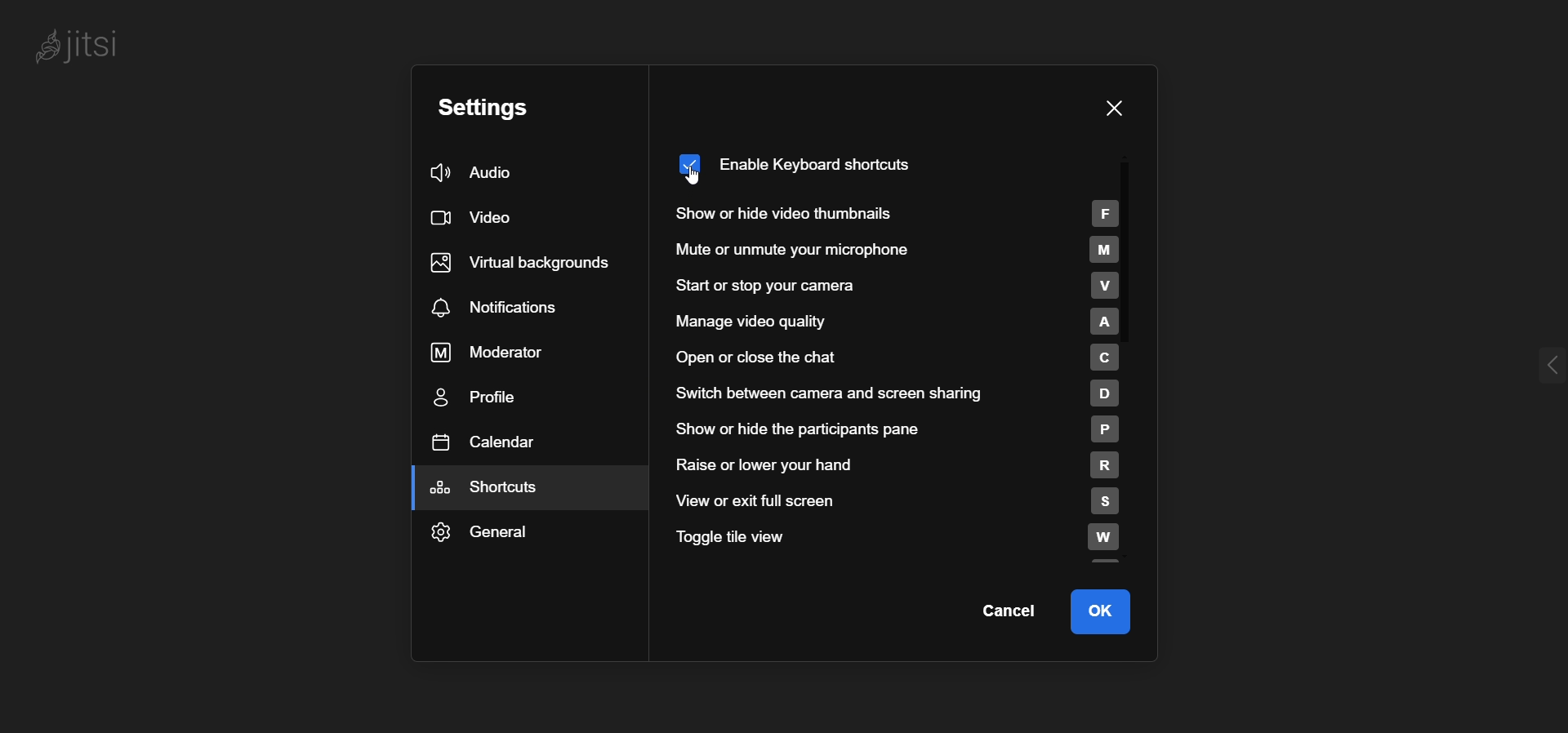 This screenshot has height=733, width=1568. What do you see at coordinates (895, 430) in the screenshot?
I see `show or hide participant pane` at bounding box center [895, 430].